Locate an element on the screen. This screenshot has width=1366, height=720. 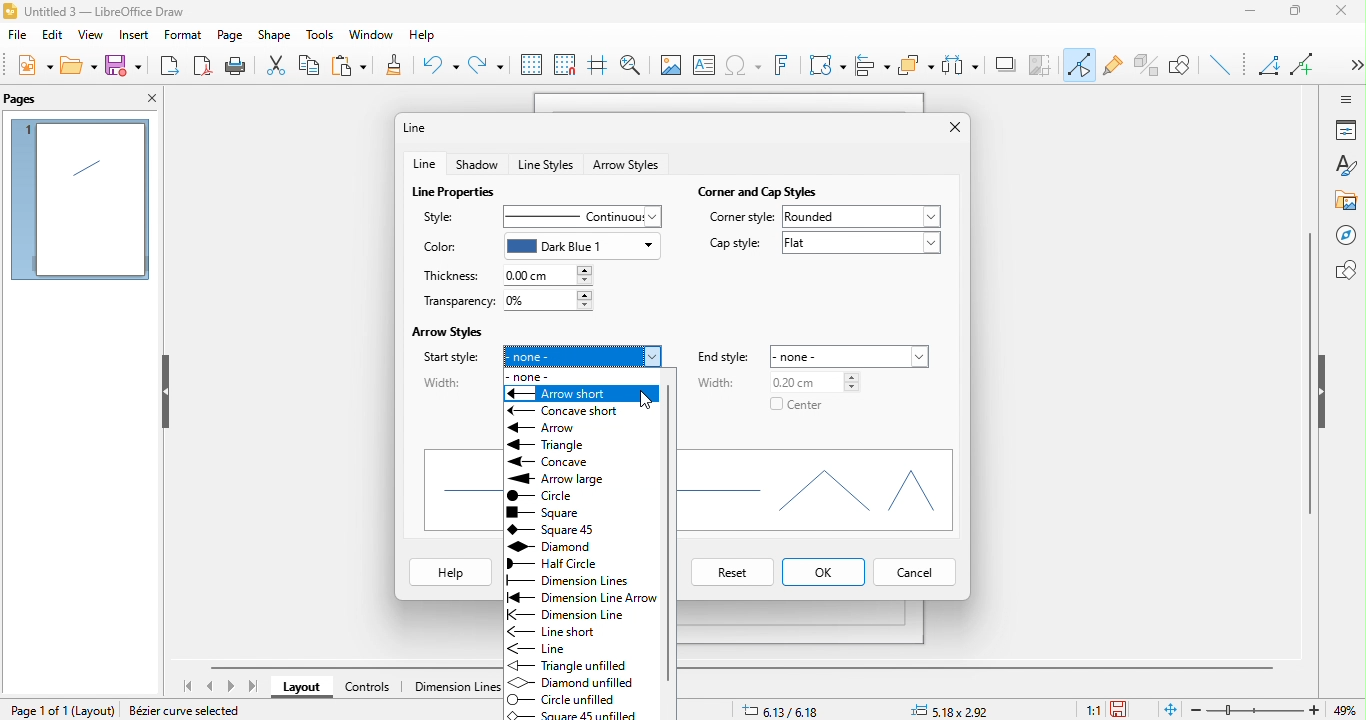
helpline while moving is located at coordinates (596, 67).